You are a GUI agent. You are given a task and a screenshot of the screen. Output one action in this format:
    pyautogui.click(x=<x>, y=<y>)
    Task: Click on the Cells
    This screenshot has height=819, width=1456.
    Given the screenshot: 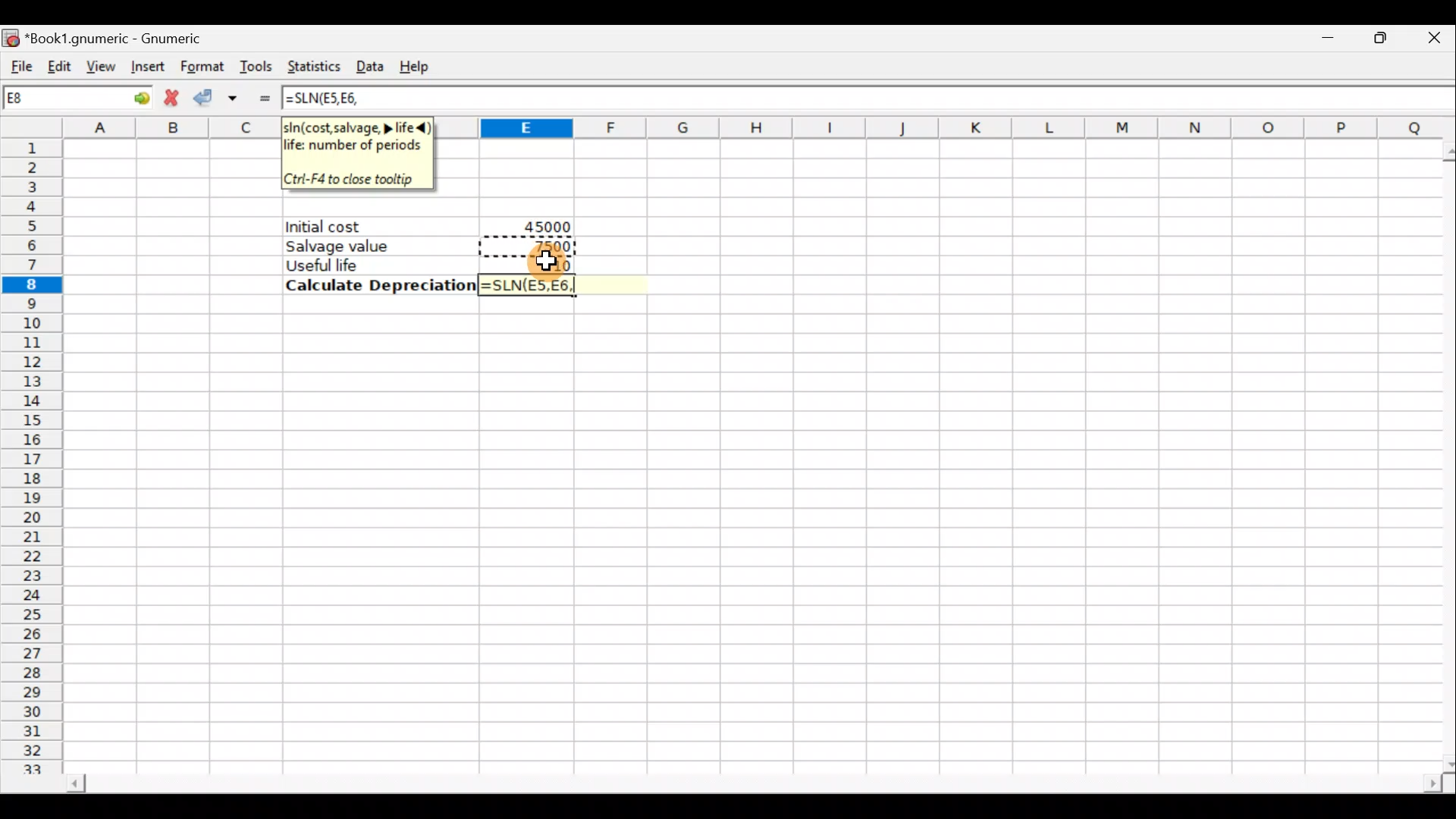 What is the action you would take?
    pyautogui.click(x=747, y=538)
    